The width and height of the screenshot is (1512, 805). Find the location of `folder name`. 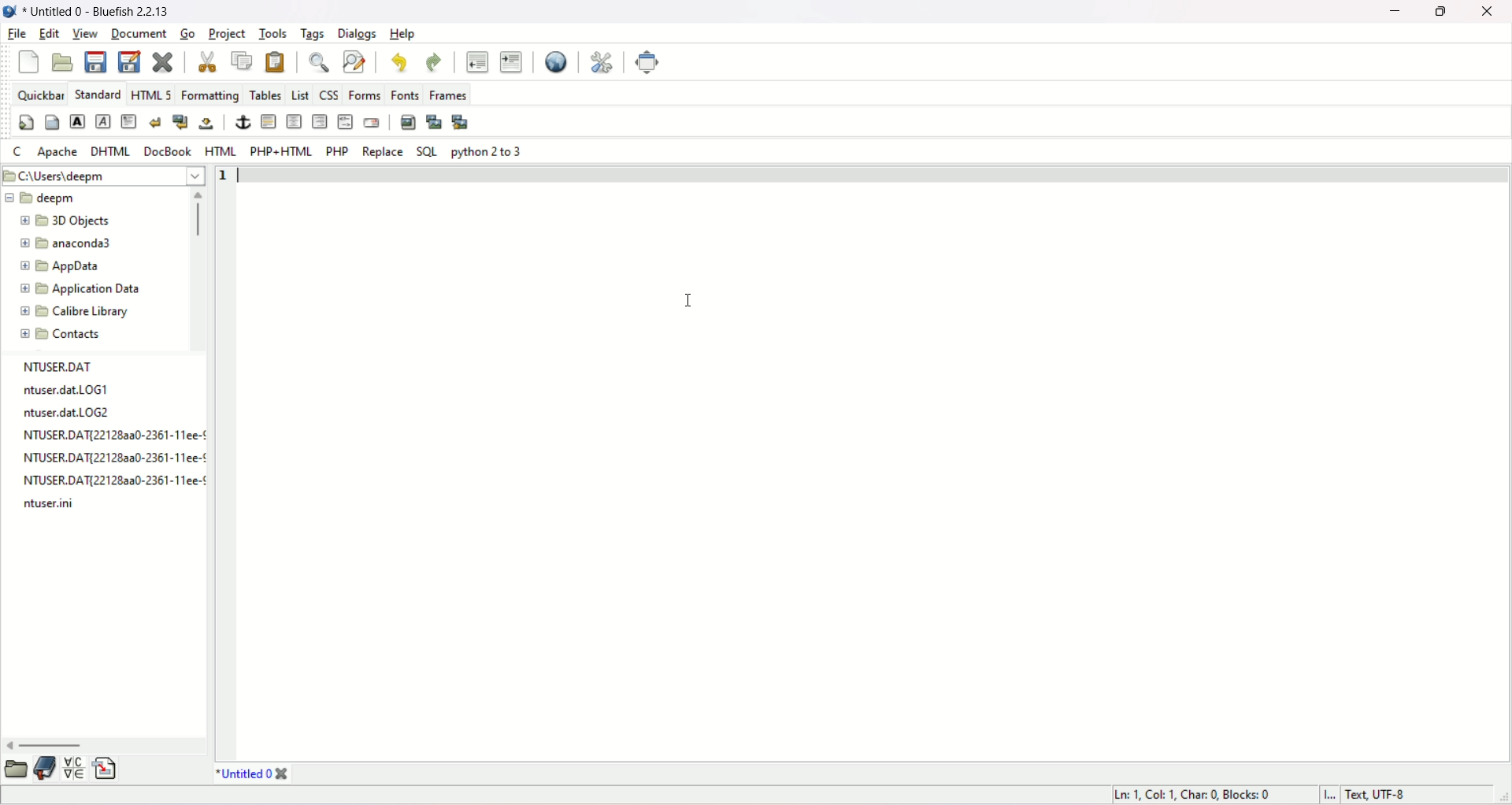

folder name is located at coordinates (54, 198).